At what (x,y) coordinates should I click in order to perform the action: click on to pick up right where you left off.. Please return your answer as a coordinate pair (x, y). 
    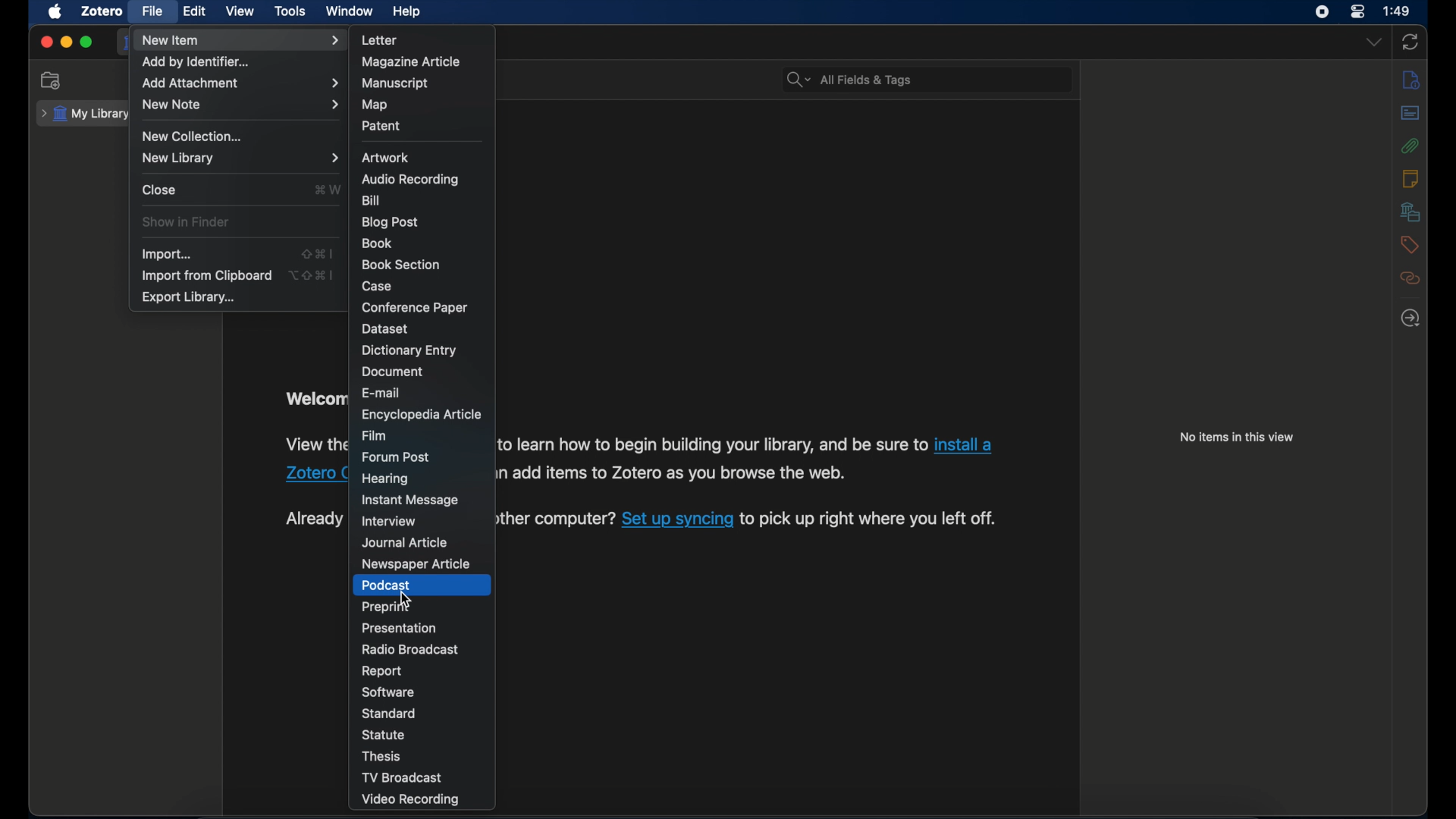
    Looking at the image, I should click on (871, 519).